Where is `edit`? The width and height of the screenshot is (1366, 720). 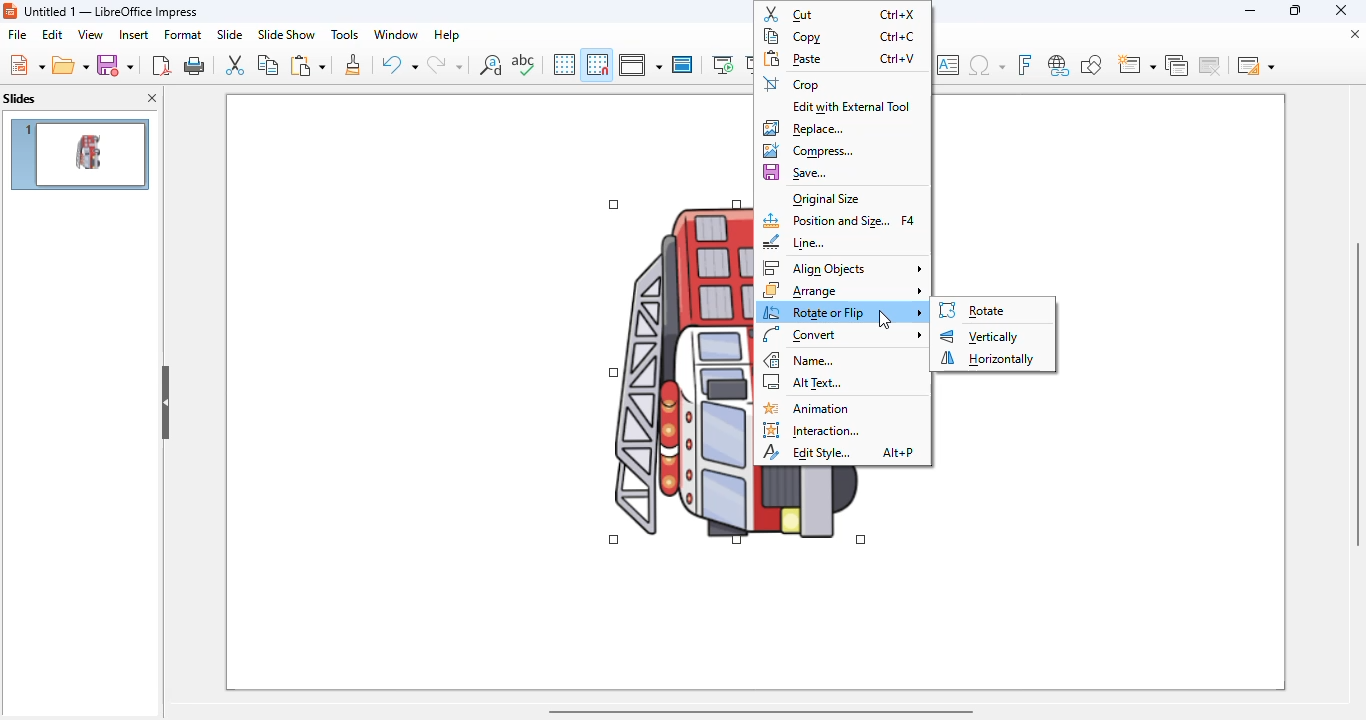 edit is located at coordinates (52, 34).